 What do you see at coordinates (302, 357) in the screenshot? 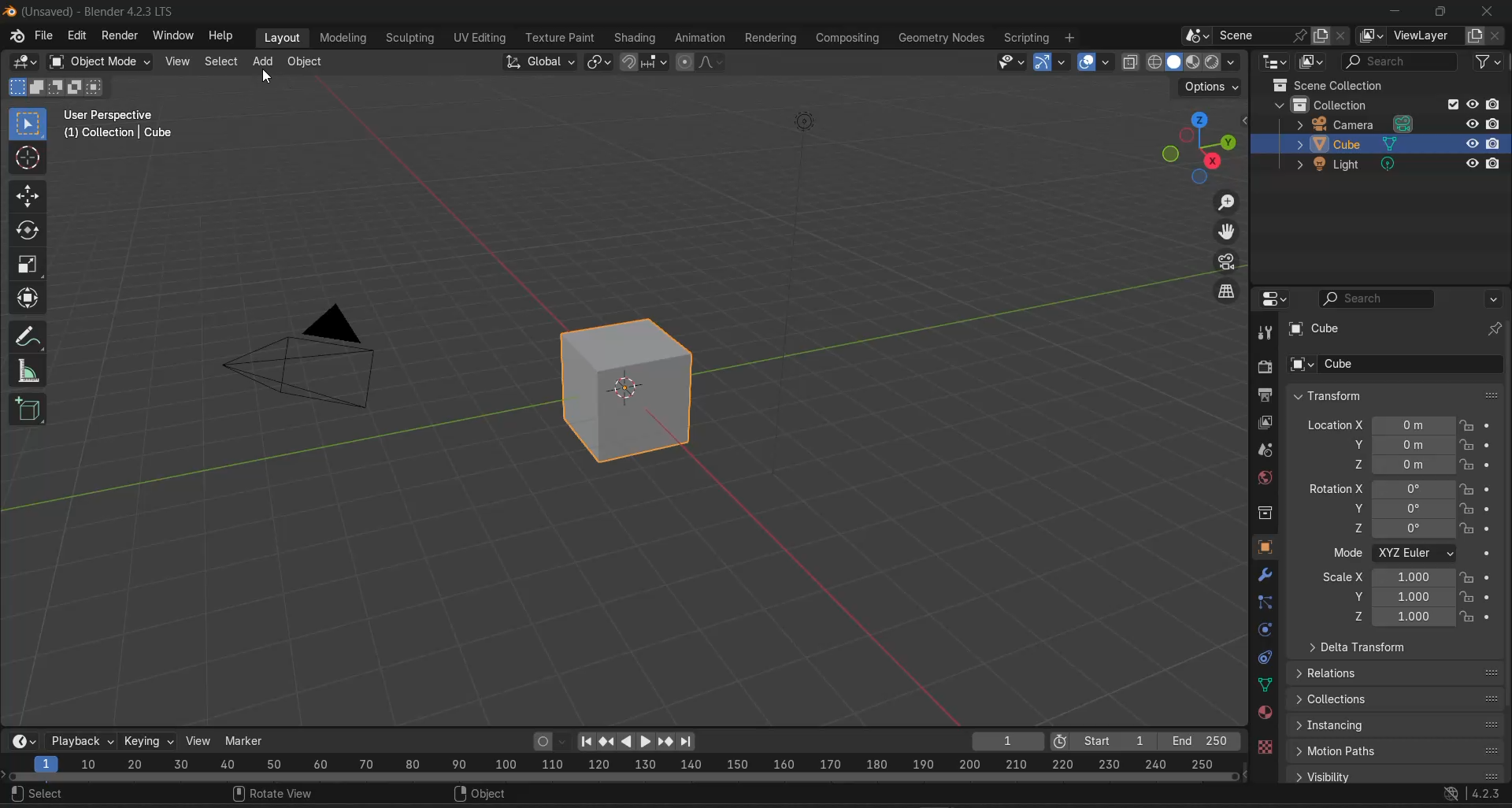
I see `image` at bounding box center [302, 357].